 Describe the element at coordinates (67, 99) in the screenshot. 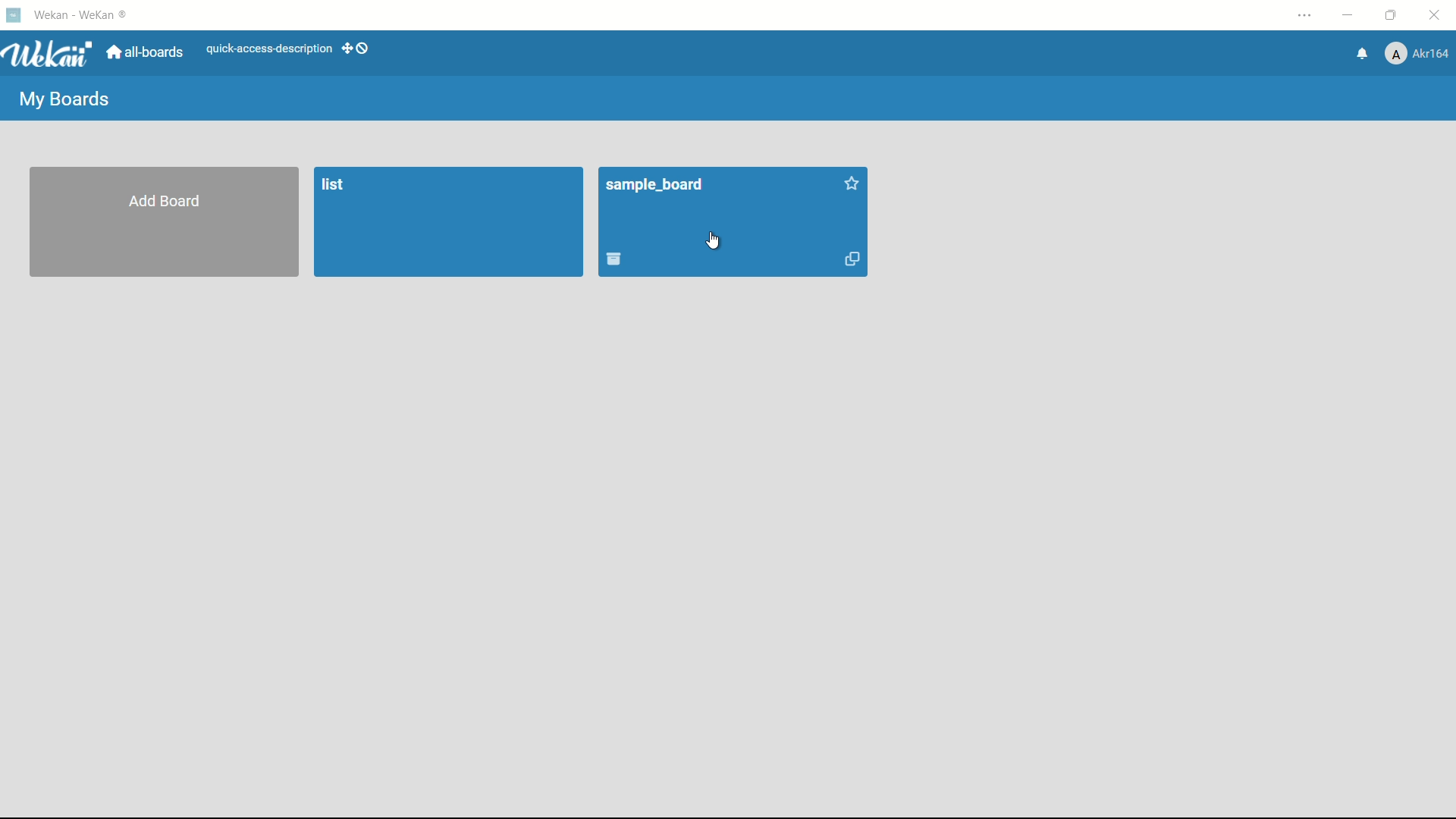

I see `my boards` at that location.